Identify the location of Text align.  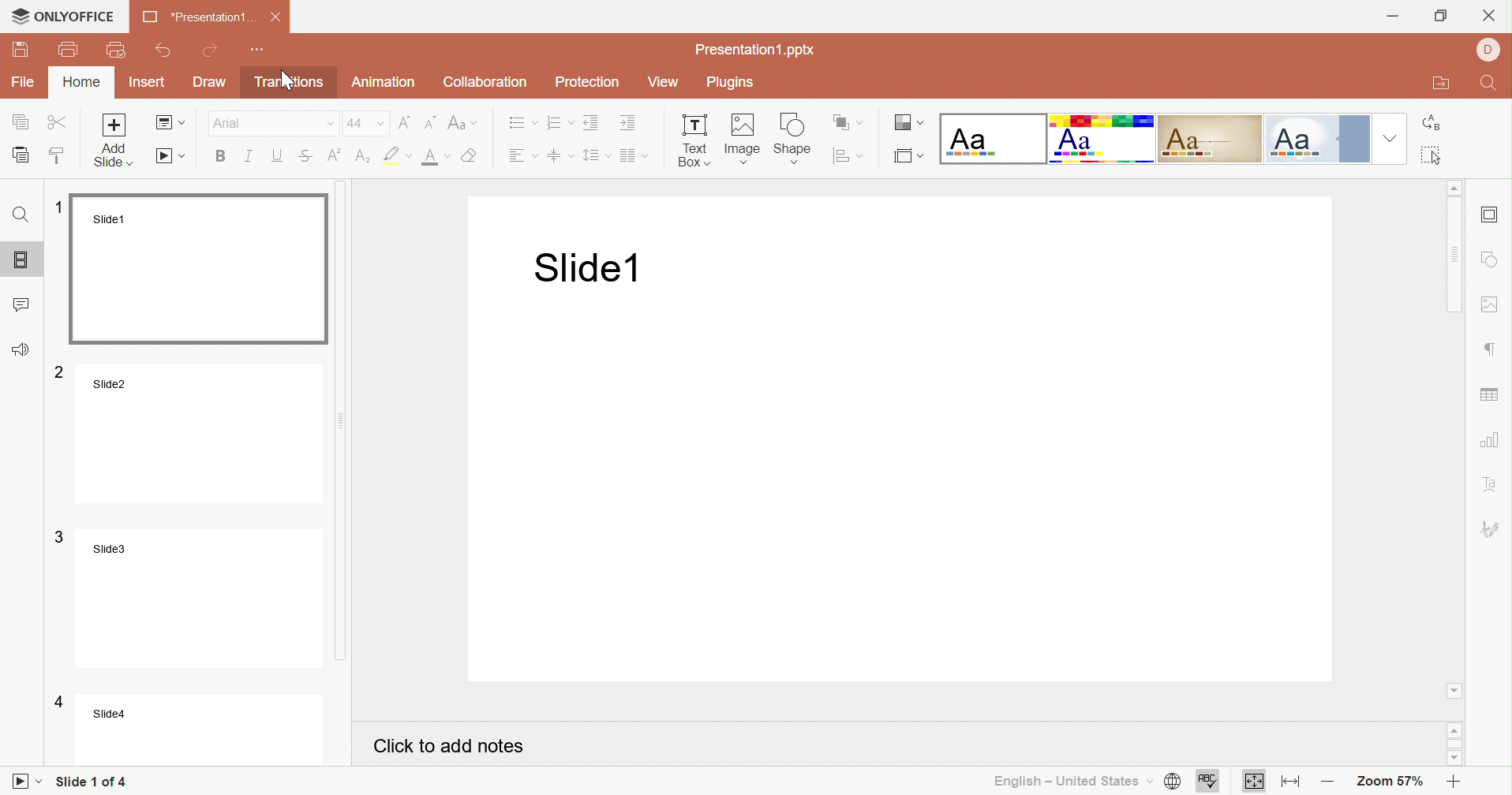
(1493, 483).